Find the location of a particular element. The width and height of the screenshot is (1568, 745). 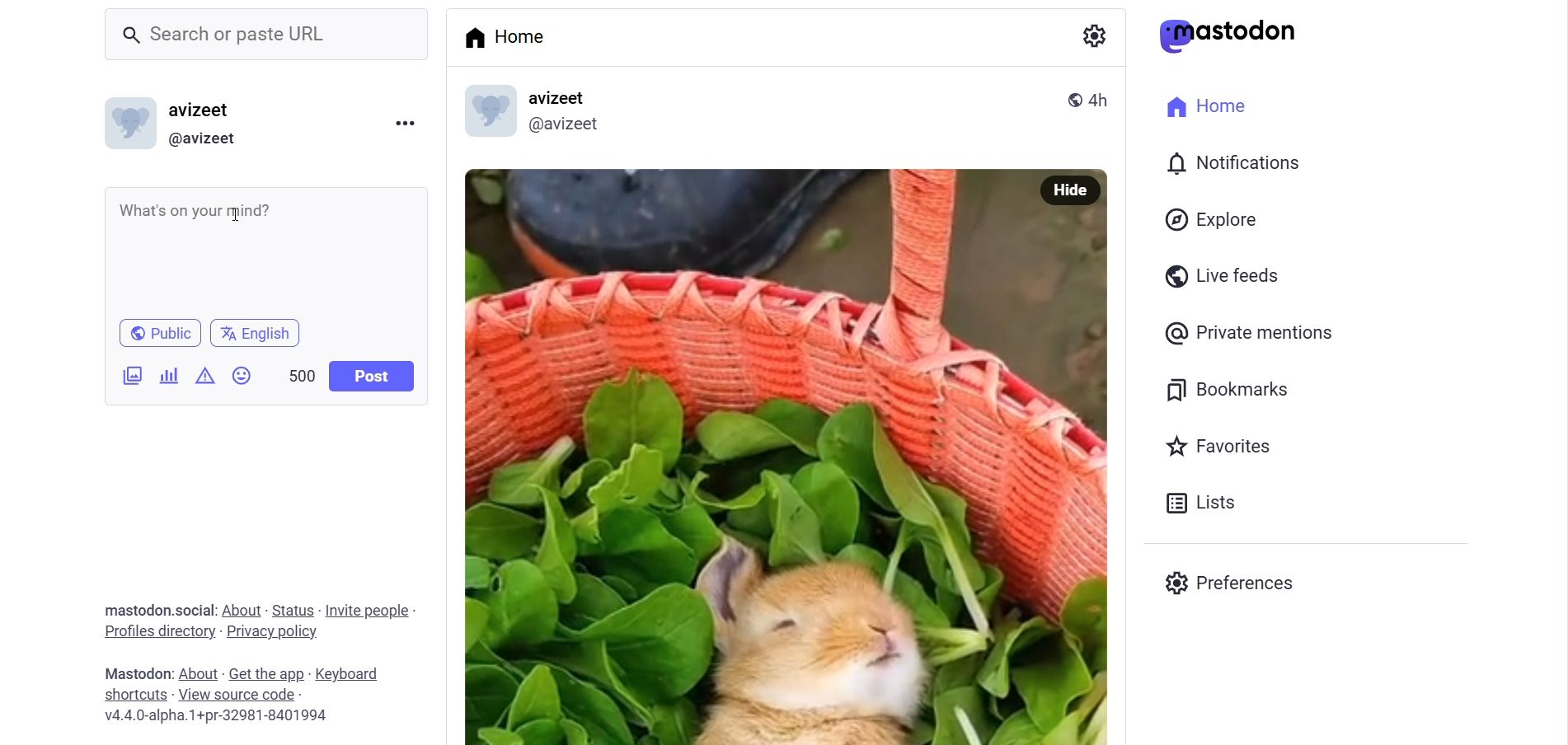

source code is located at coordinates (246, 693).